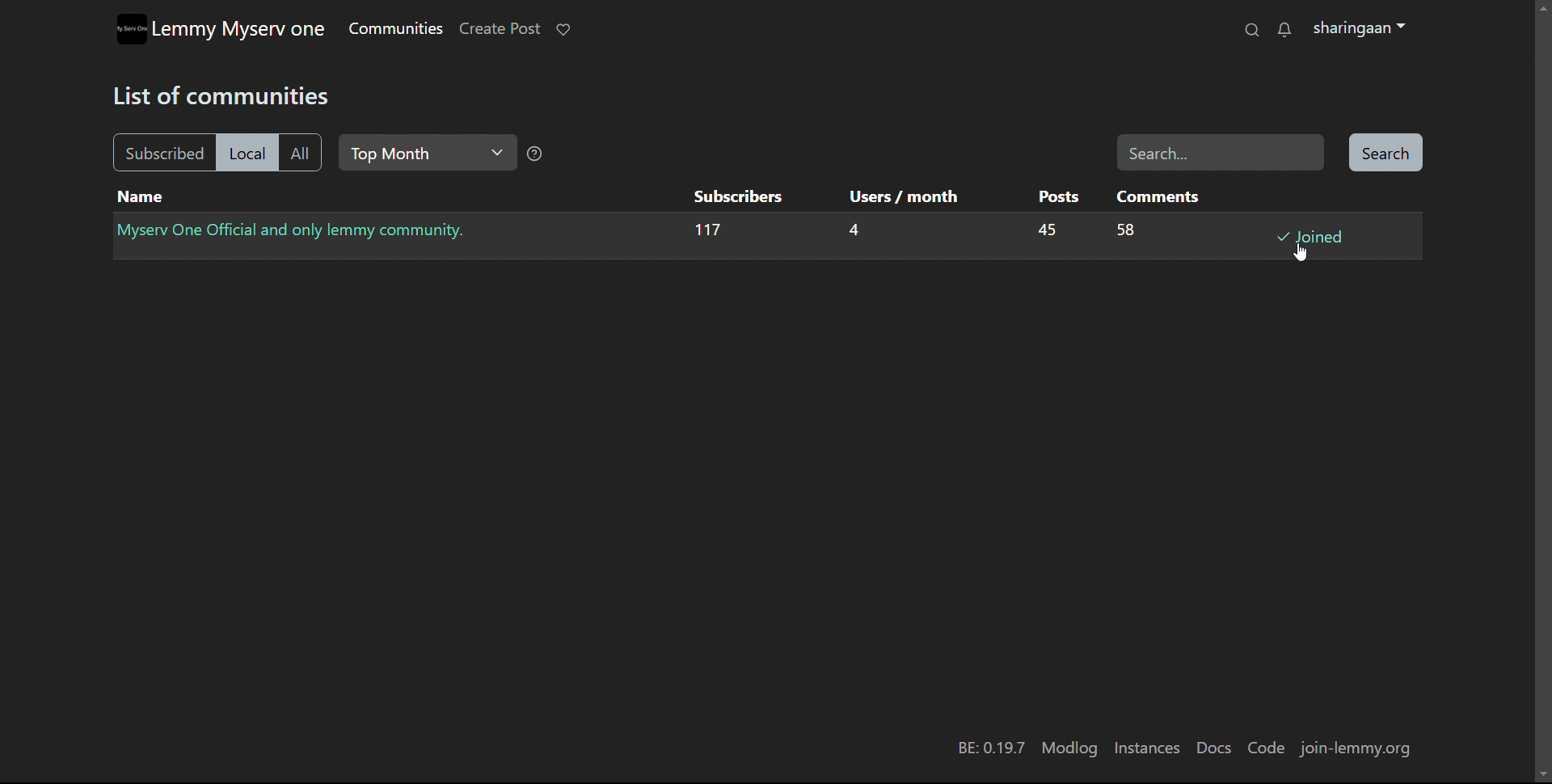 The image size is (1552, 784). What do you see at coordinates (1124, 232) in the screenshot?
I see `58` at bounding box center [1124, 232].